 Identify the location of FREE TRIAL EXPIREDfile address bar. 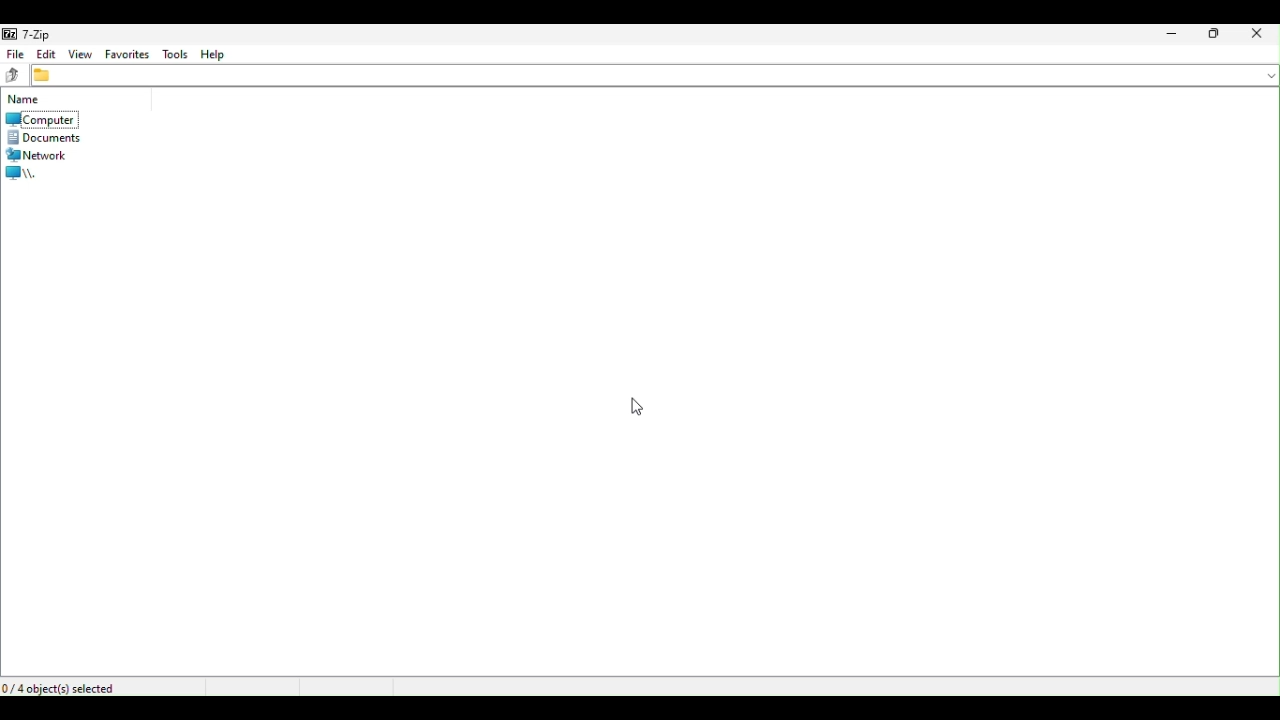
(654, 74).